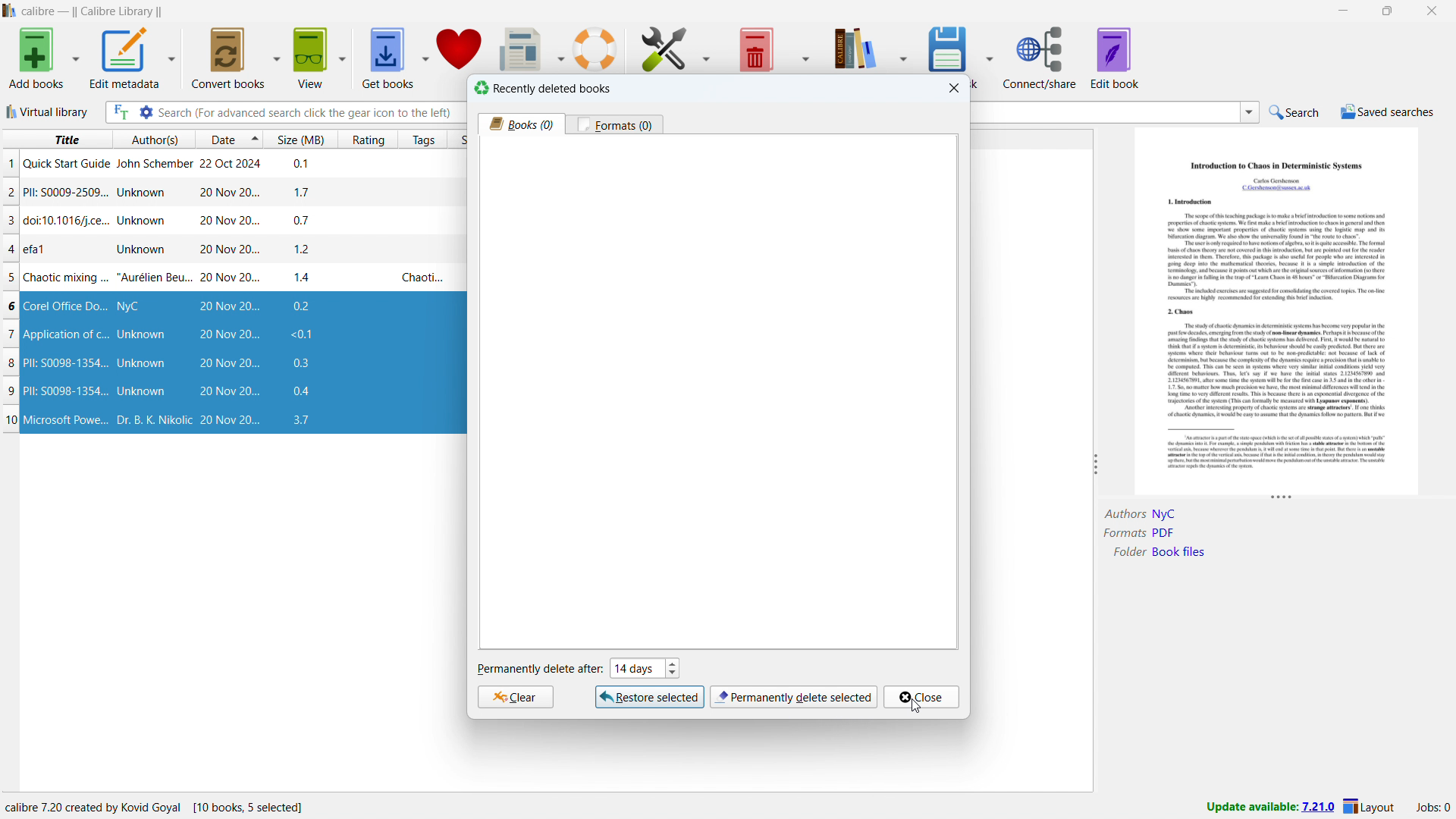  I want to click on save to disk options, so click(990, 55).